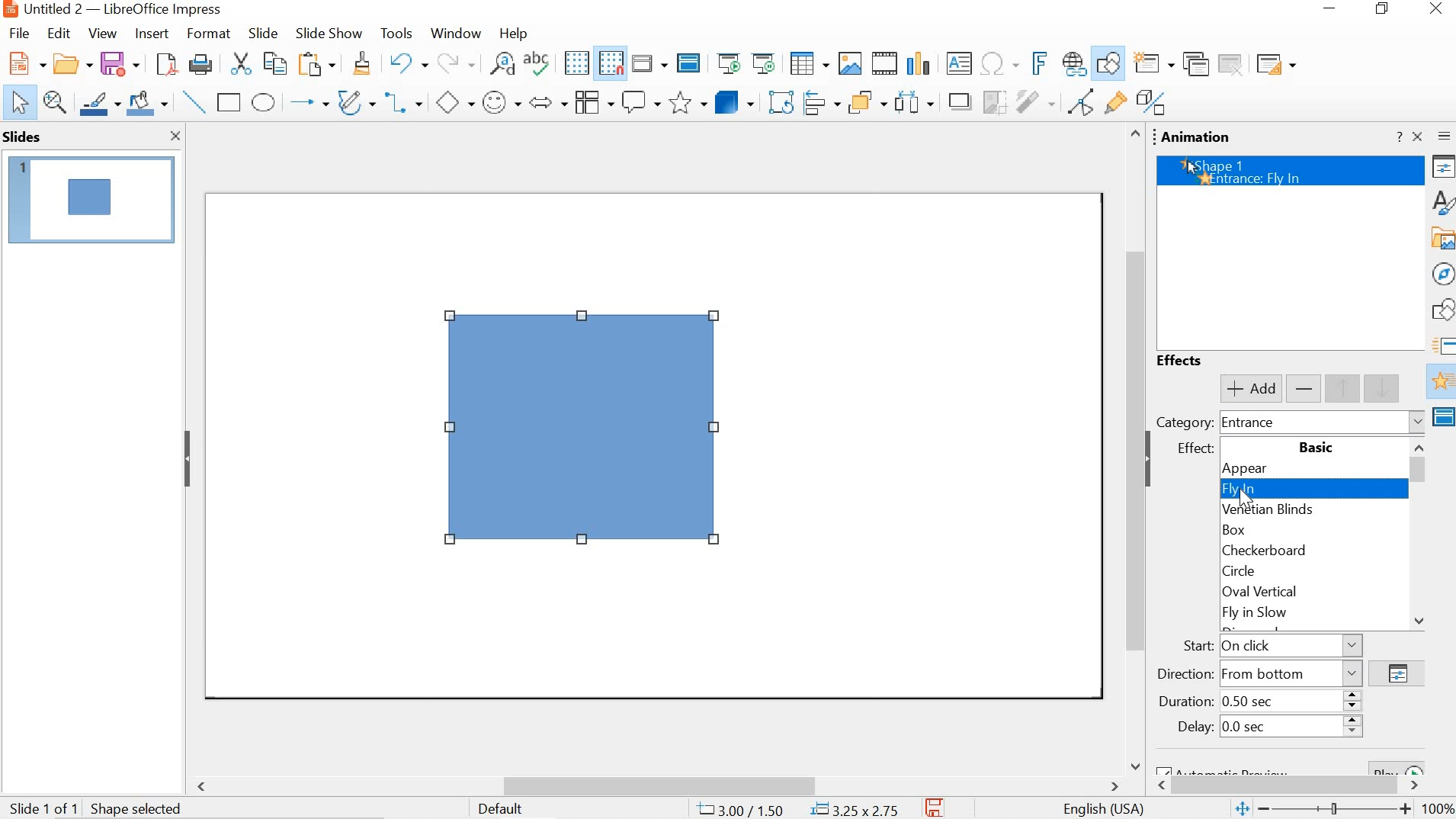 The width and height of the screenshot is (1456, 819). I want to click on filter, so click(1034, 99).